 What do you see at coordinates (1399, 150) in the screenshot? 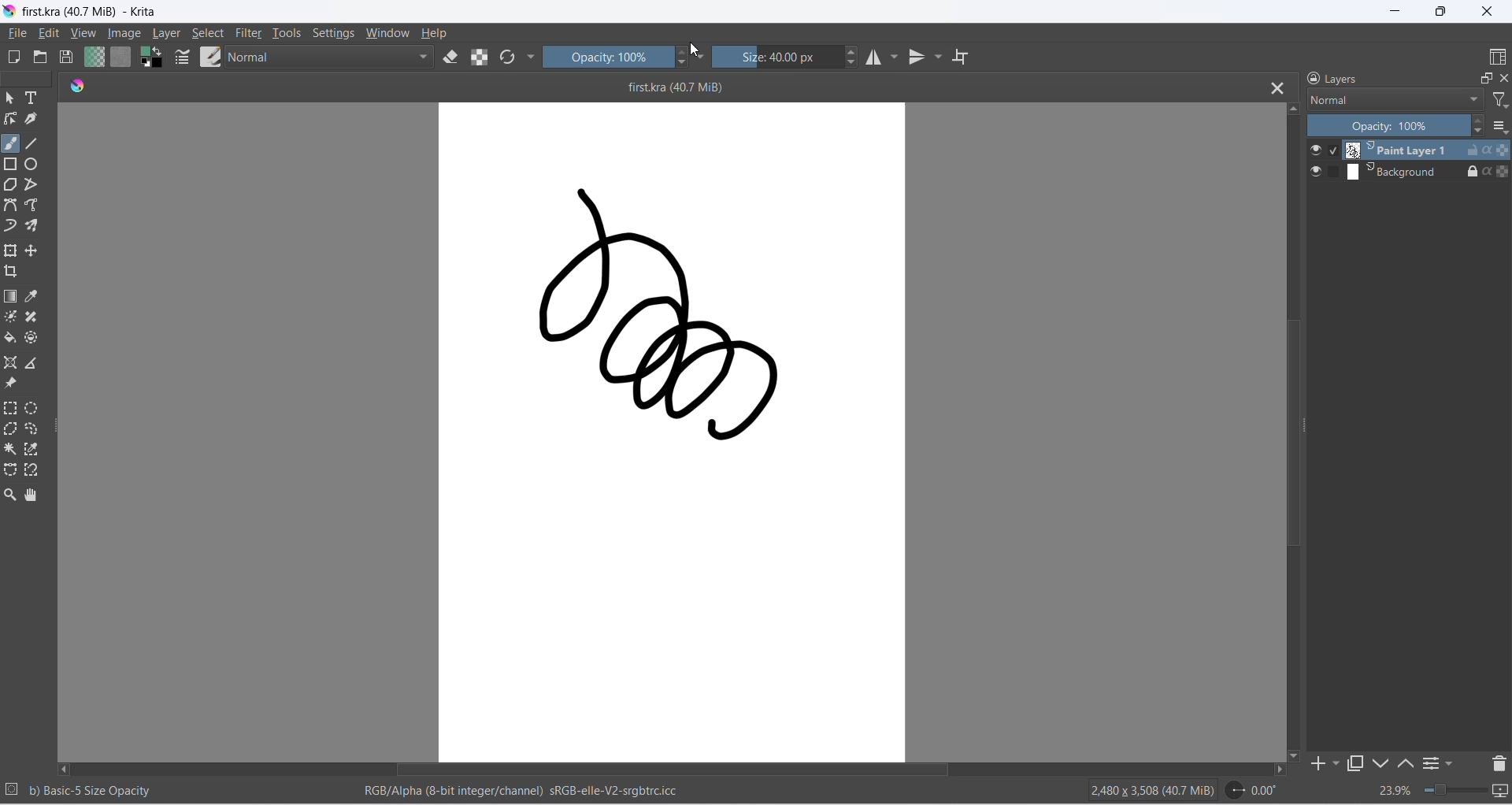
I see `layers name` at bounding box center [1399, 150].